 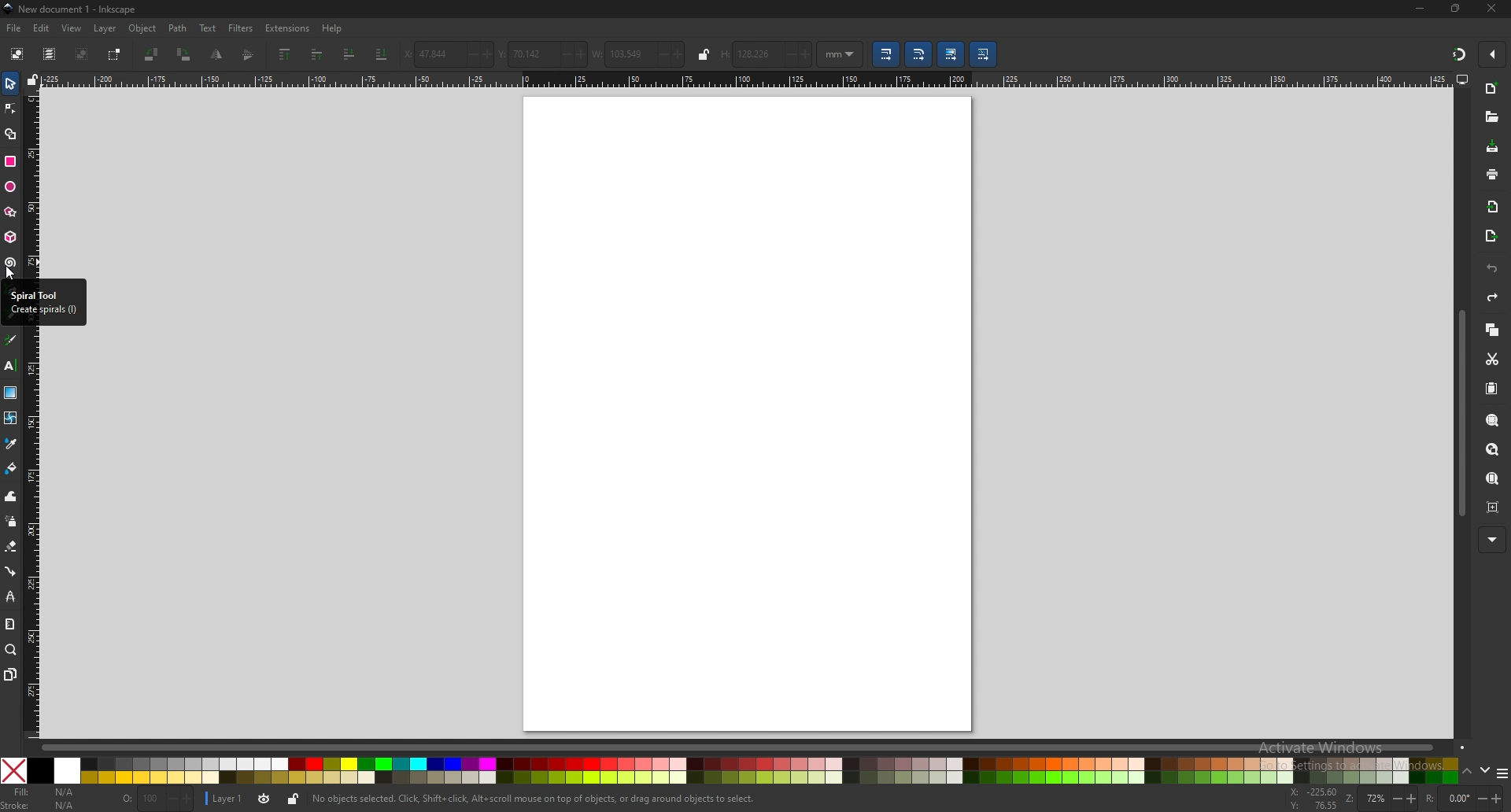 I want to click on display tools, so click(x=1463, y=79).